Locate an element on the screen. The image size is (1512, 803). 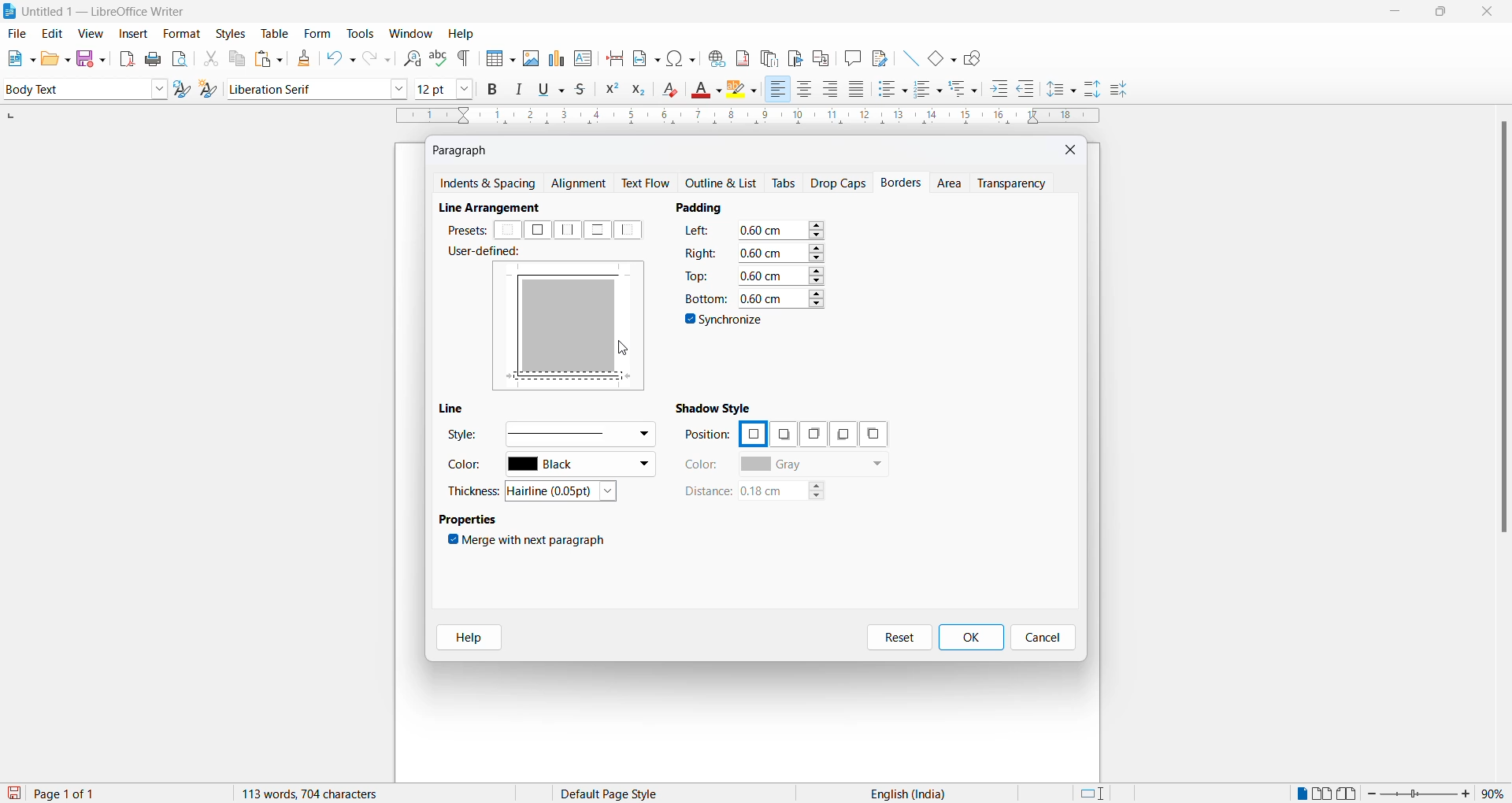
basic shapes is located at coordinates (938, 56).